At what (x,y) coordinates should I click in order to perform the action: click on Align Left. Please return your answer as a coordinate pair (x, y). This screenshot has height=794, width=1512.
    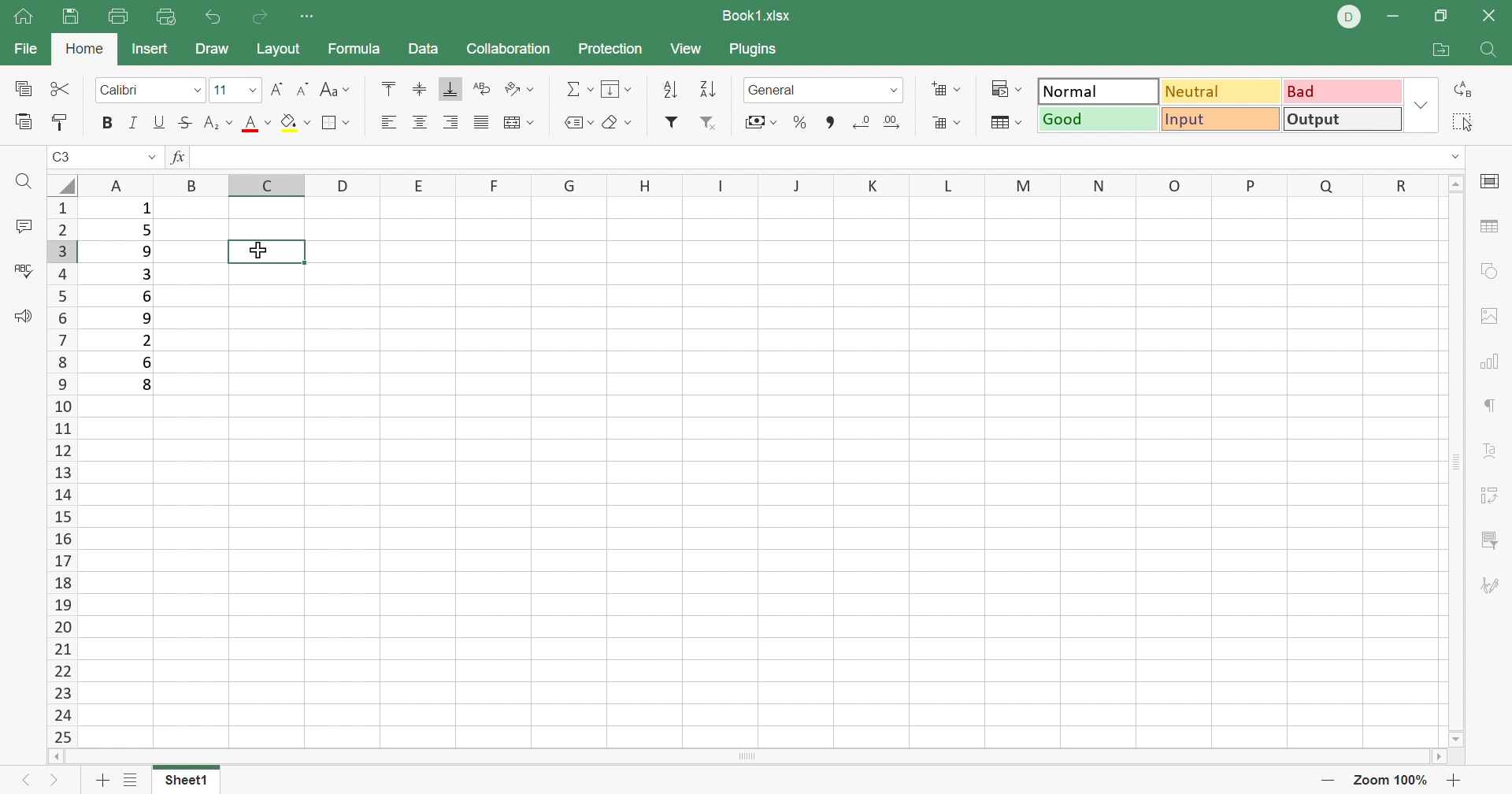
    Looking at the image, I should click on (390, 122).